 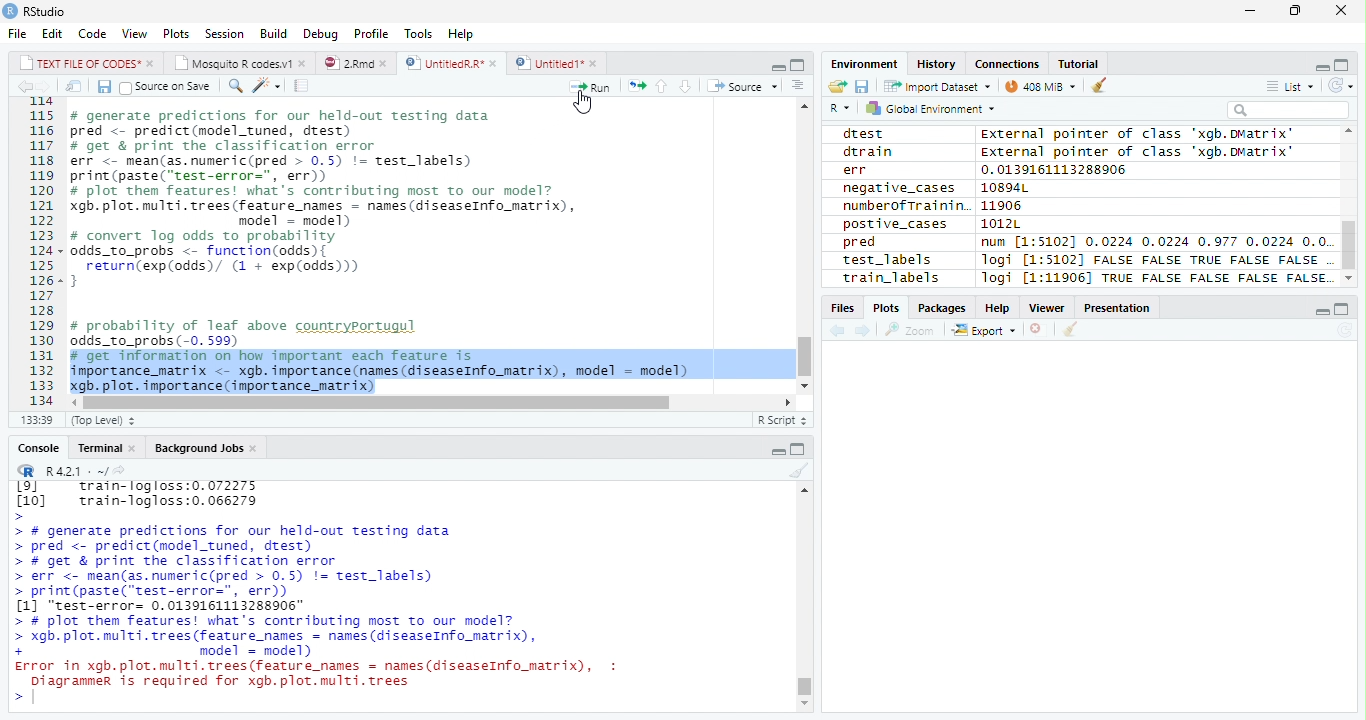 What do you see at coordinates (49, 86) in the screenshot?
I see `Next` at bounding box center [49, 86].